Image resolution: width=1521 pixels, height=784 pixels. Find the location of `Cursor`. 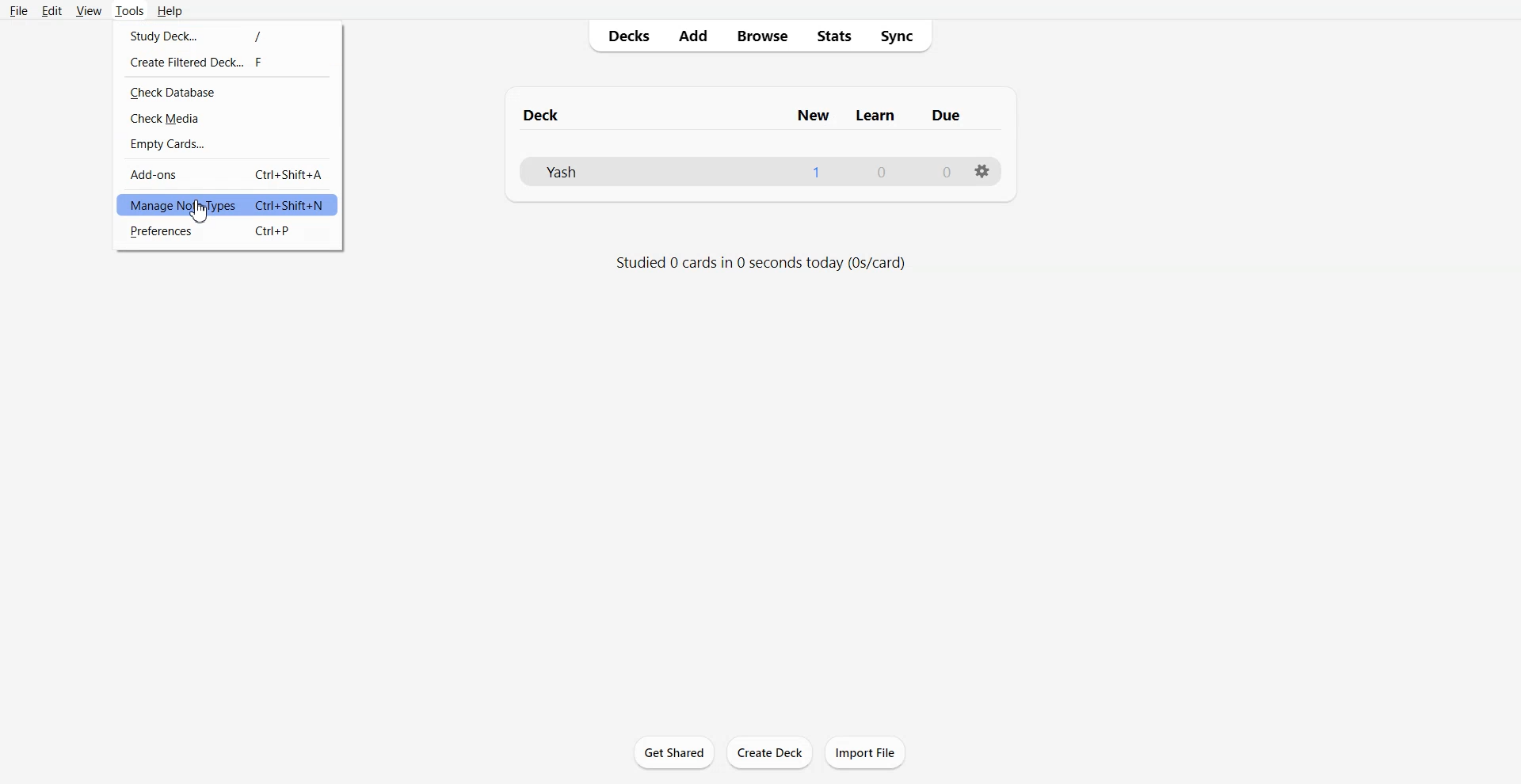

Cursor is located at coordinates (201, 214).